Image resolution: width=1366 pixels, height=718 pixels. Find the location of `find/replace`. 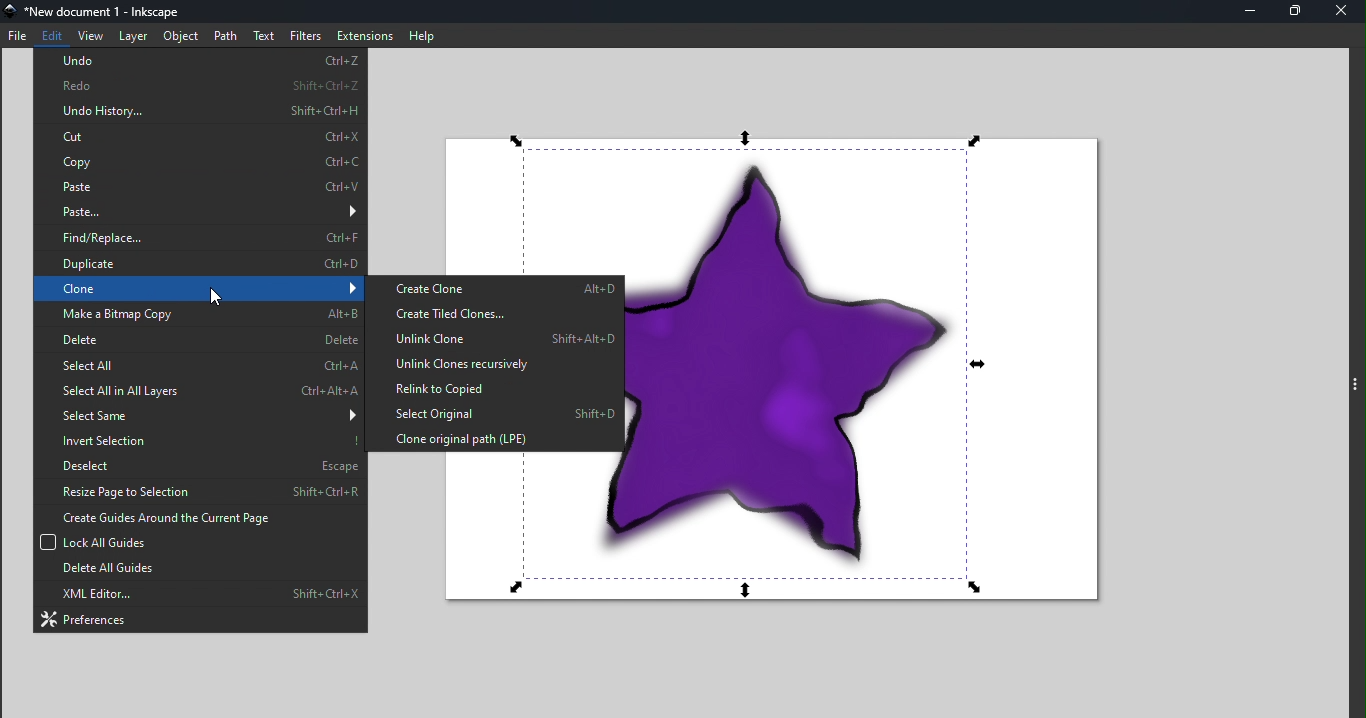

find/replace is located at coordinates (200, 239).